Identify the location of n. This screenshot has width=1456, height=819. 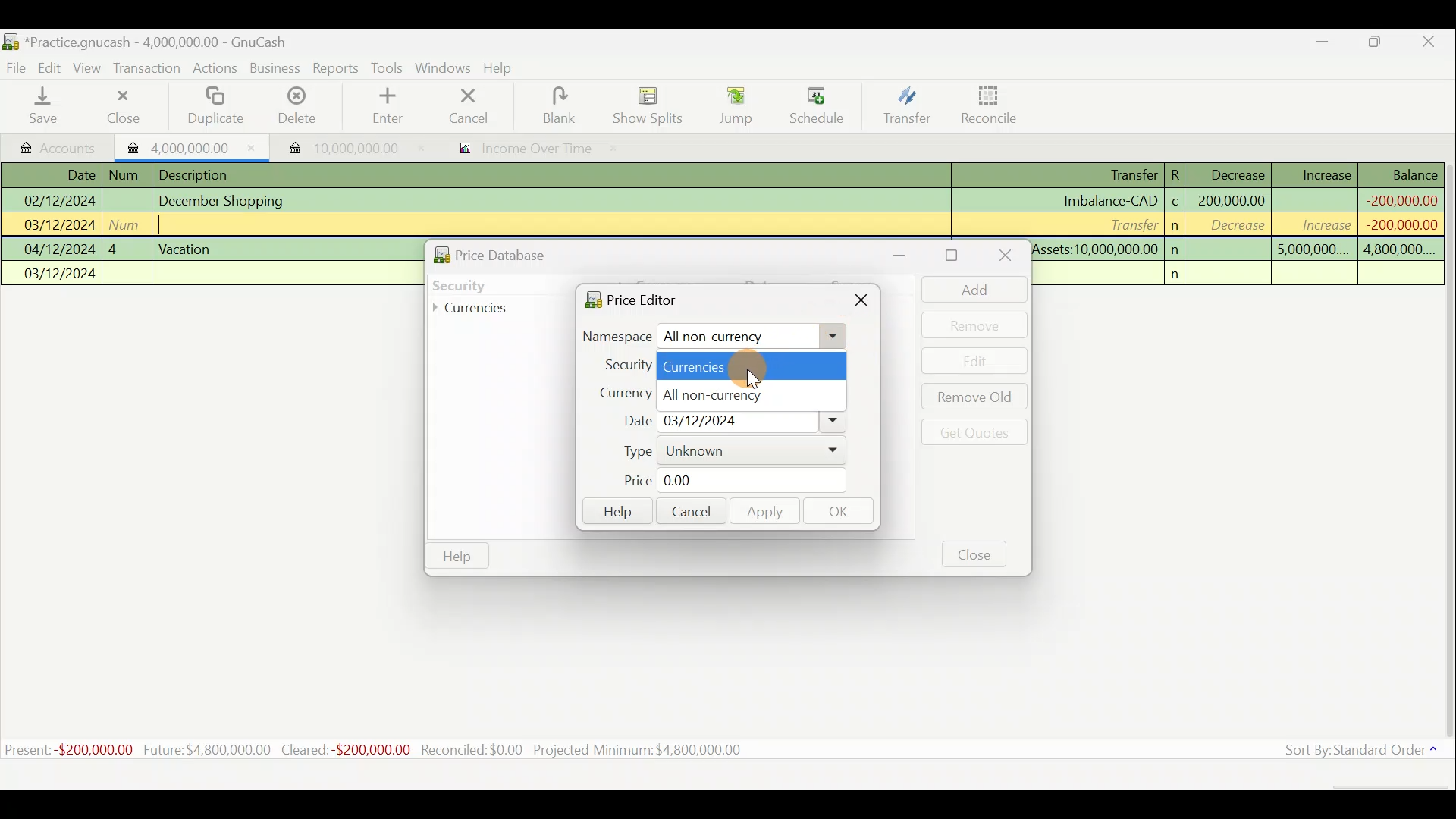
(1177, 249).